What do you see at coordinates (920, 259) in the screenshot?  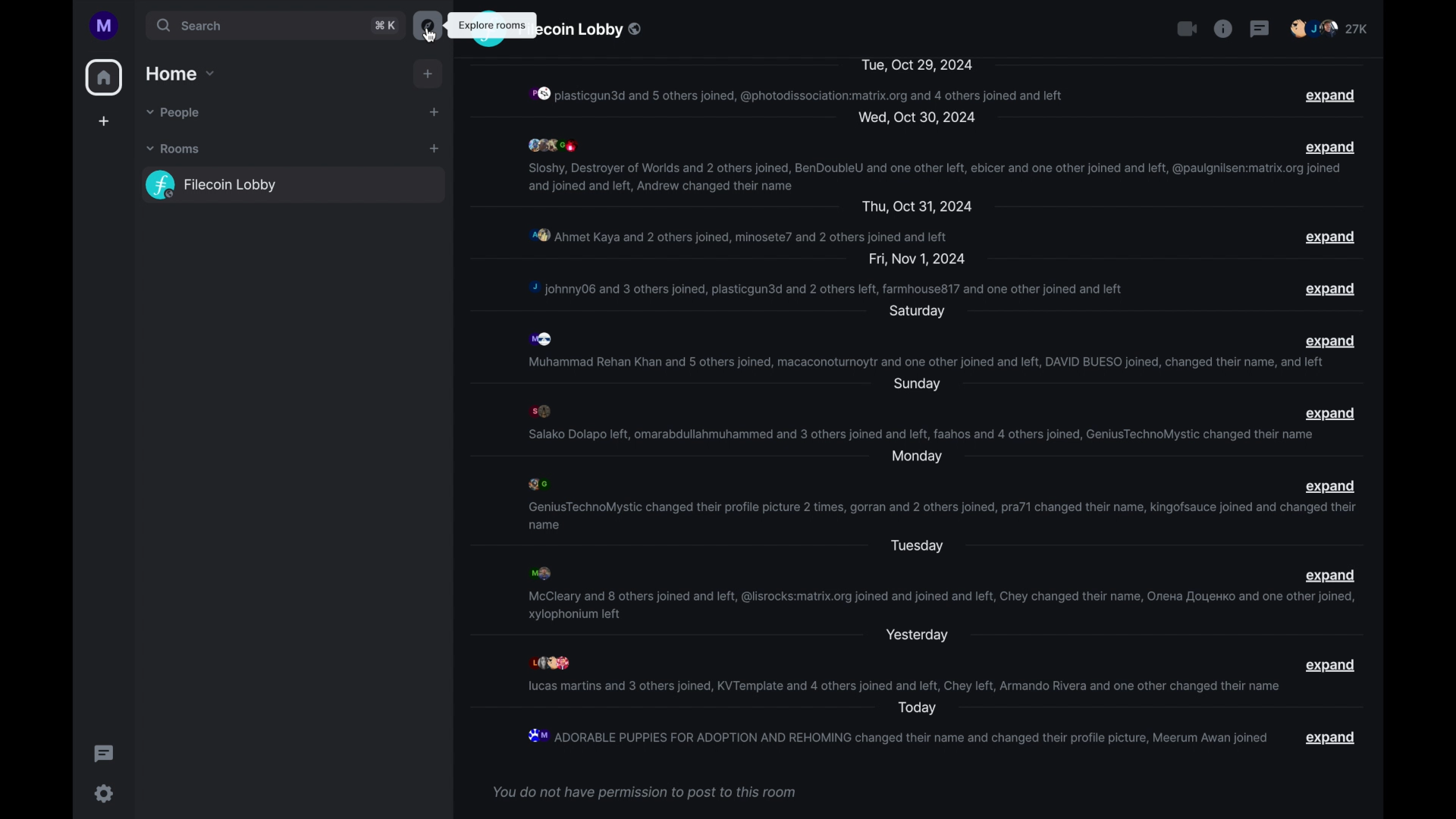 I see `Fri, Nov 1, 2024` at bounding box center [920, 259].